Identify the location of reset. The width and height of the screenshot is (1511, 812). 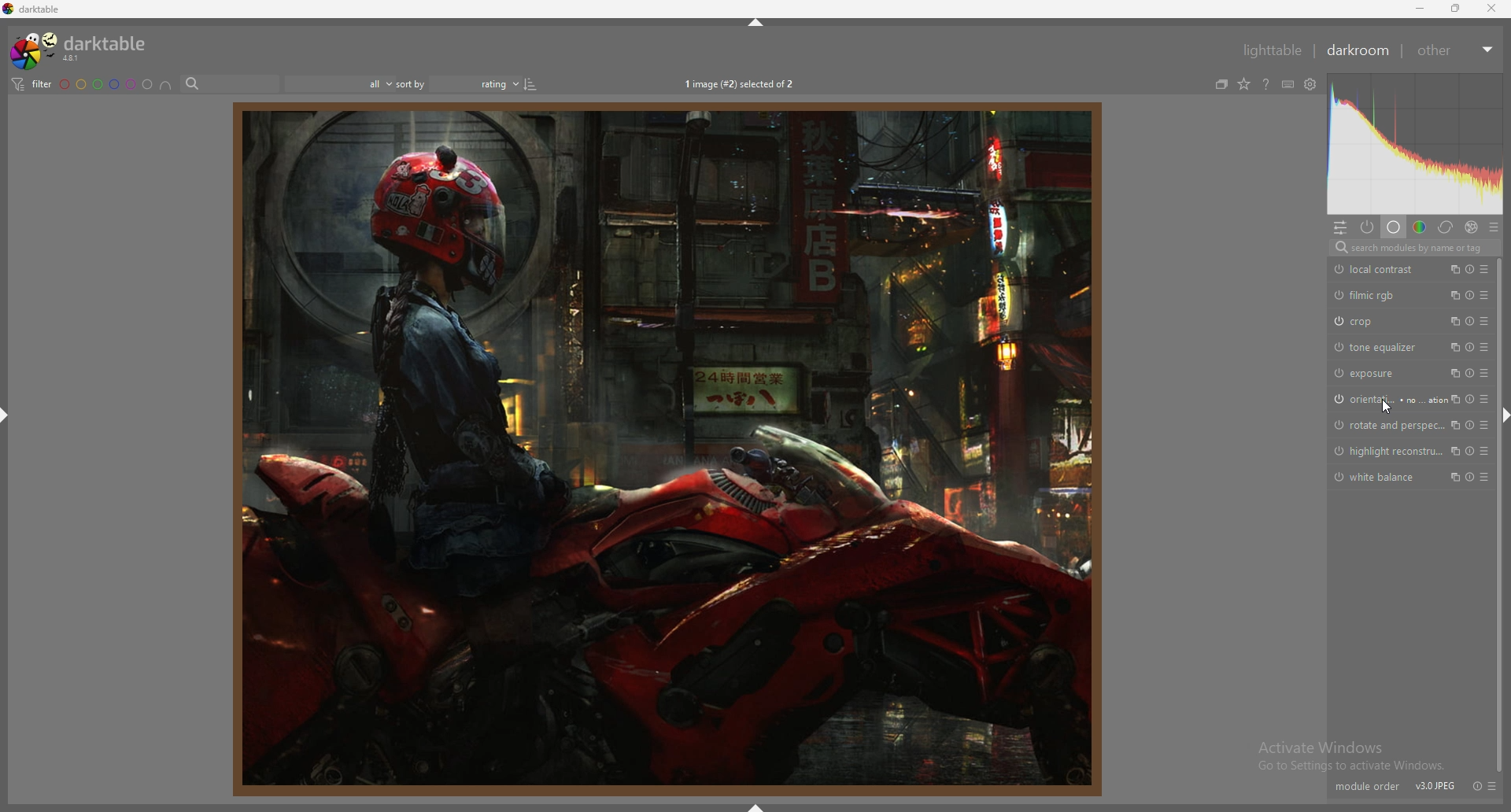
(1470, 347).